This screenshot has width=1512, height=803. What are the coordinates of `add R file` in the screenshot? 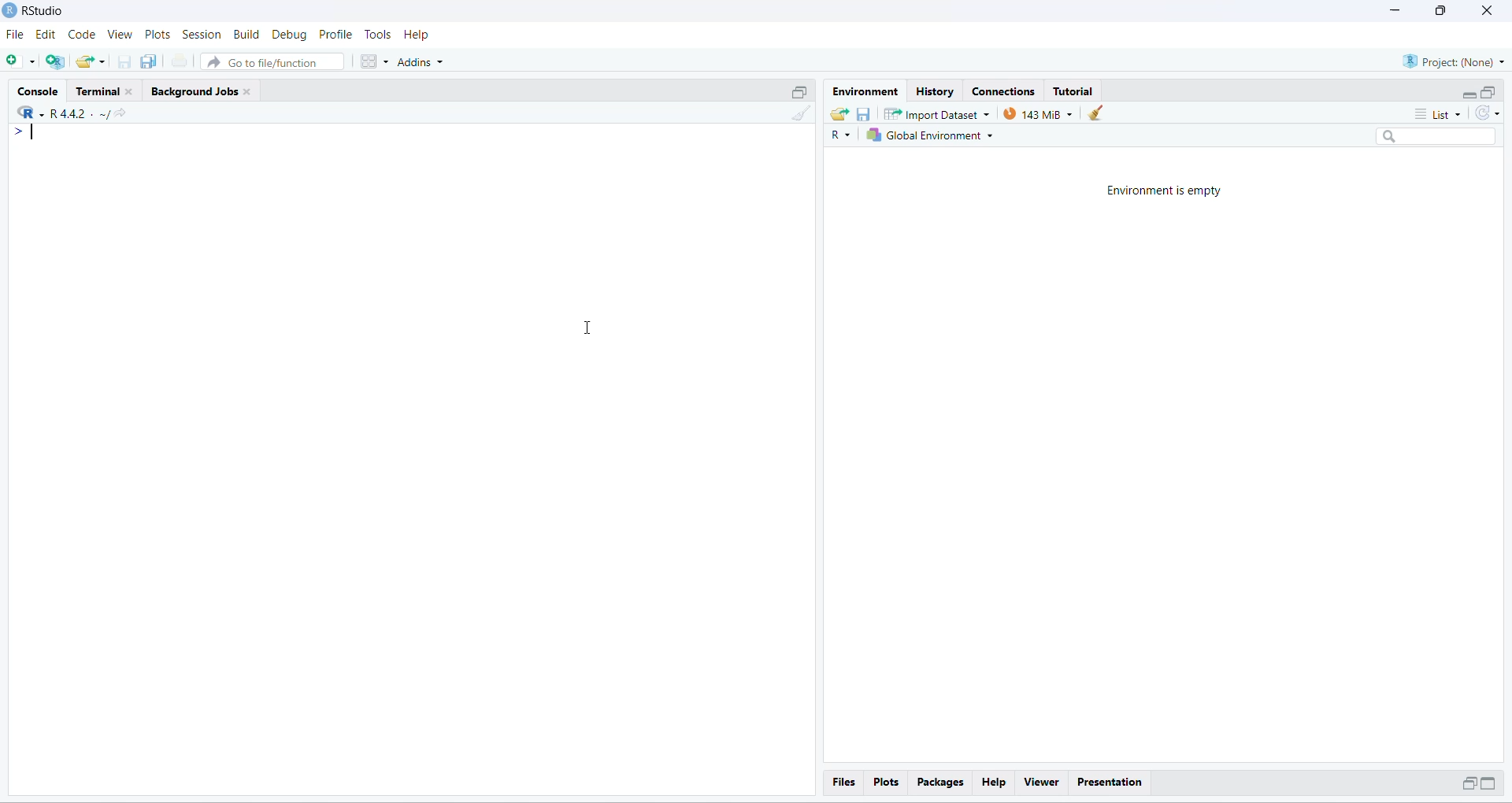 It's located at (55, 62).